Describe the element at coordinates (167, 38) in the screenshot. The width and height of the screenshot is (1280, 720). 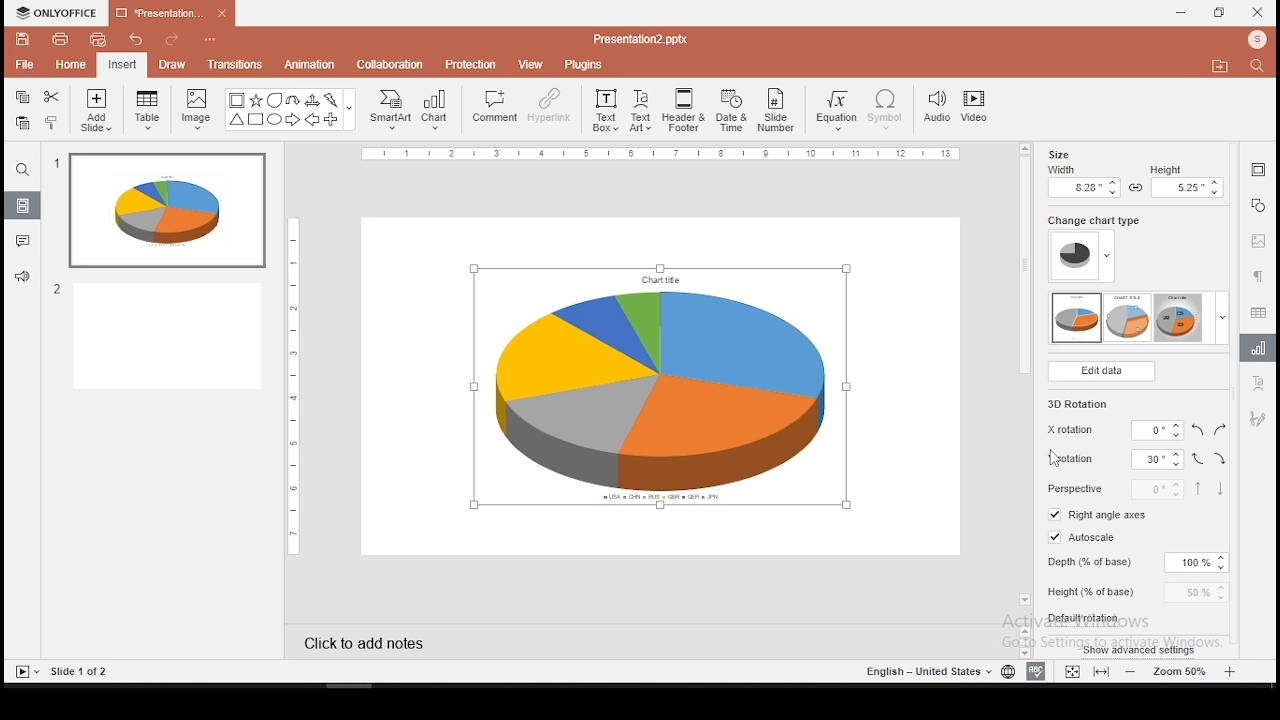
I see `redo` at that location.